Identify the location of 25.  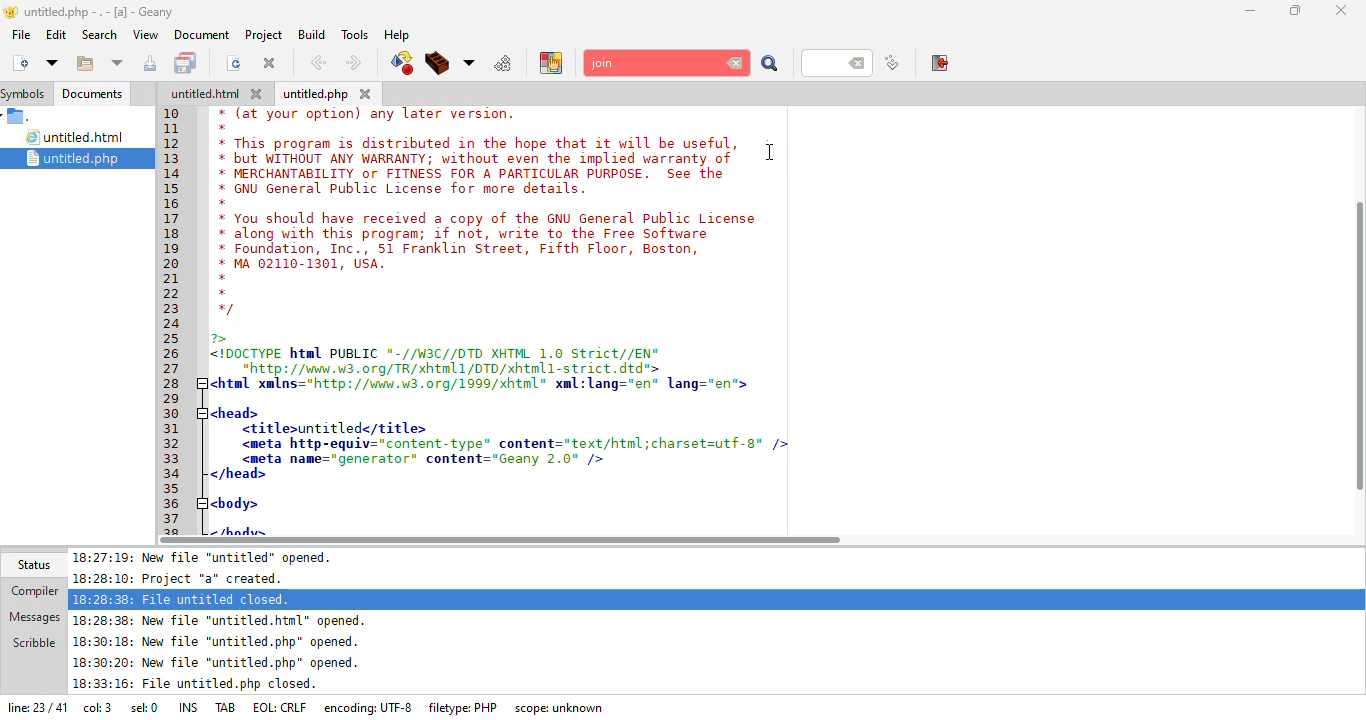
(173, 338).